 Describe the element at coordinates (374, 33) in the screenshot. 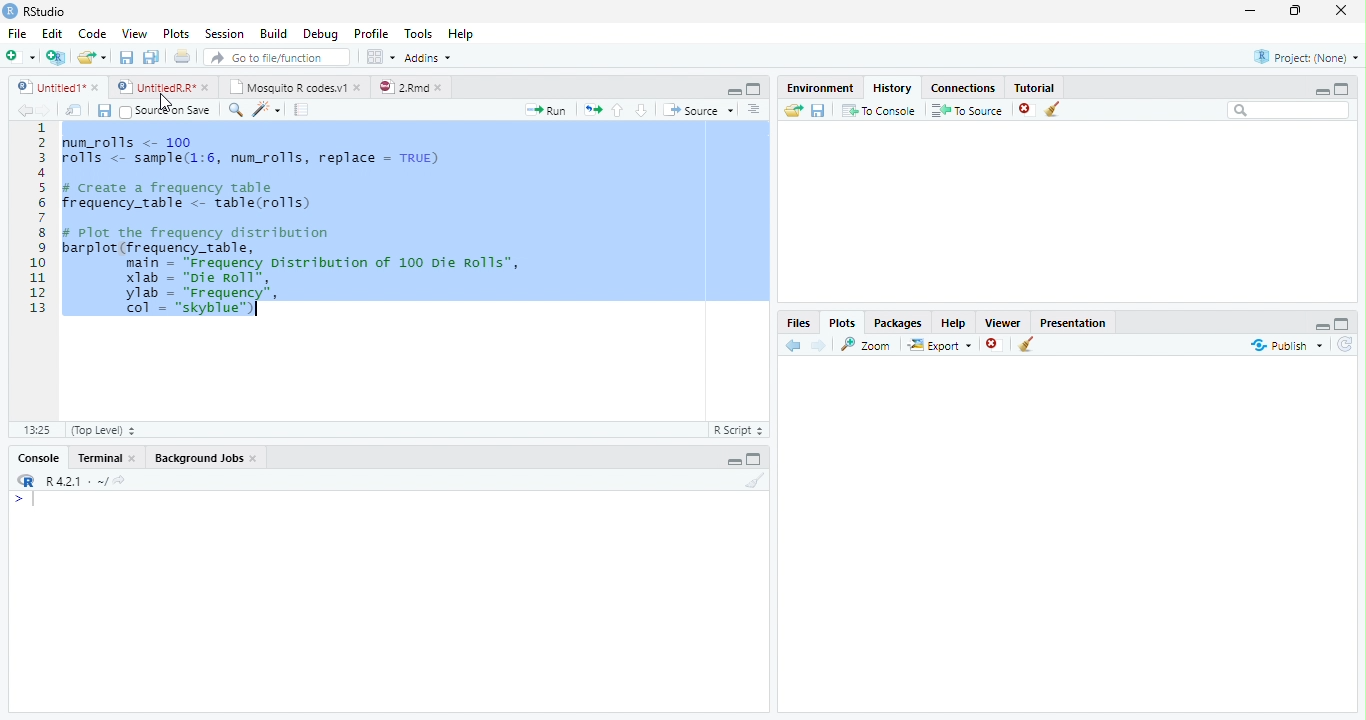

I see `Profile` at that location.